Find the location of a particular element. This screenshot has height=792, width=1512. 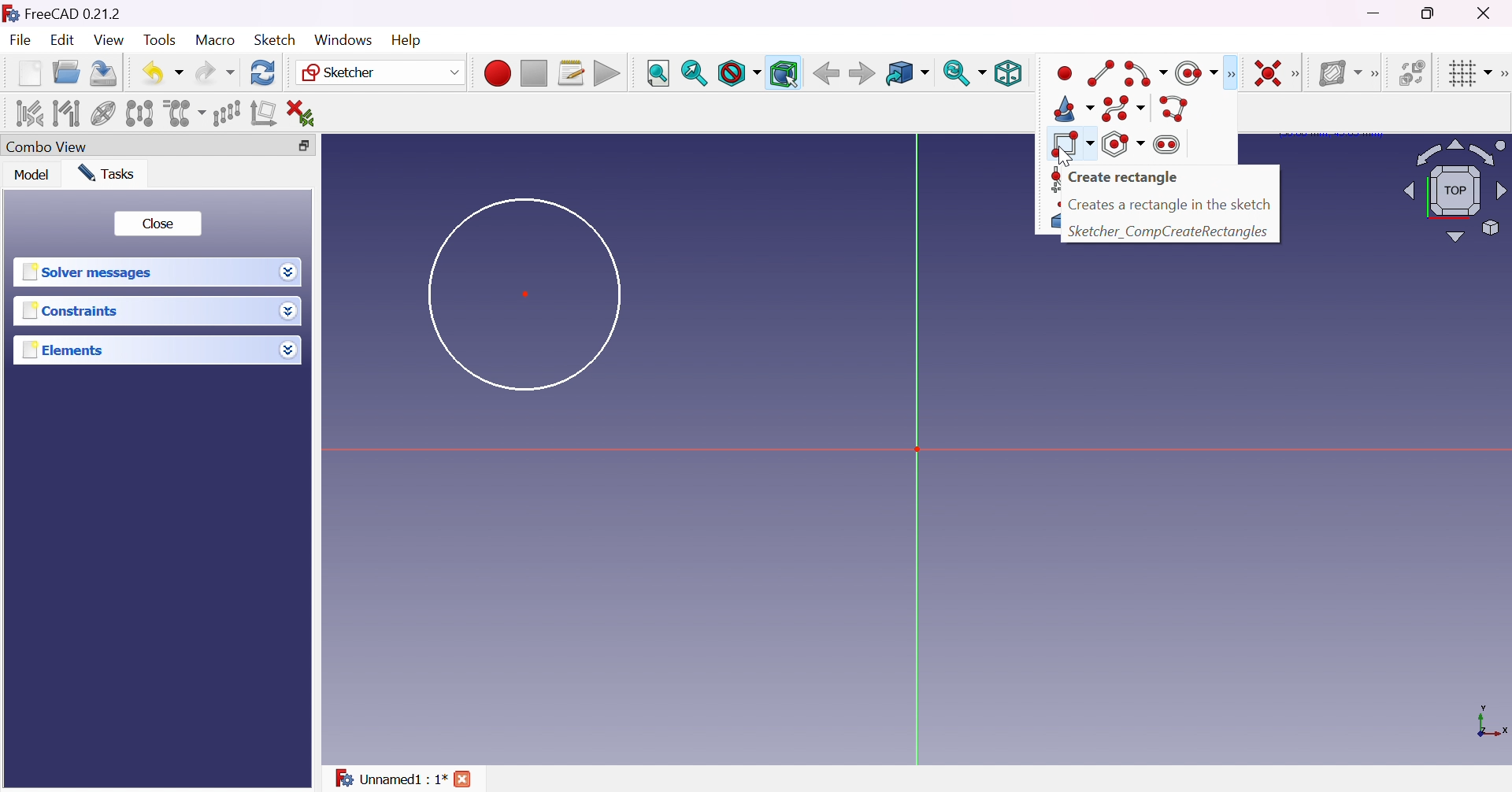

Help is located at coordinates (408, 40).